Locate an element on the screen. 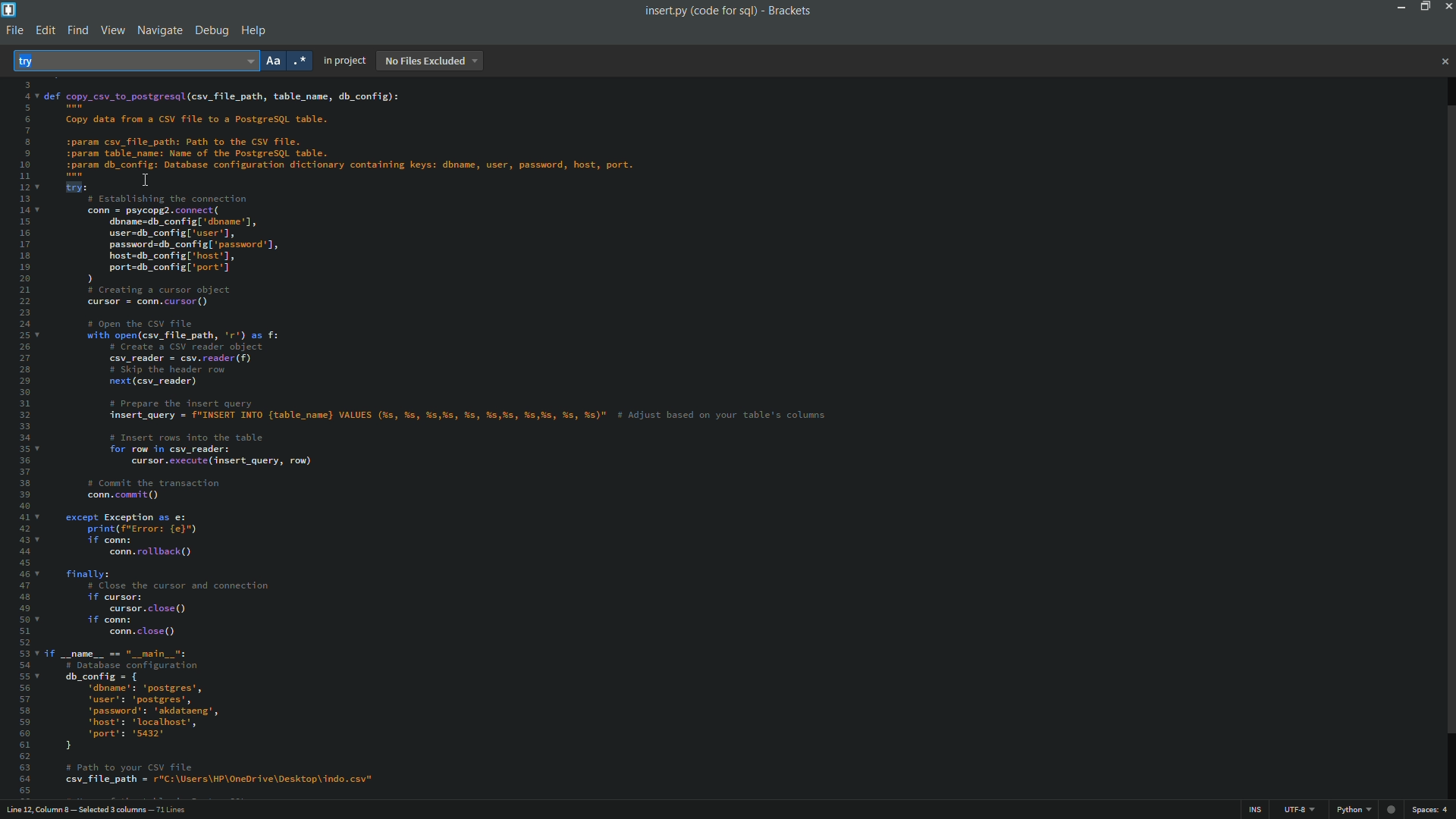 The height and width of the screenshot is (819, 1456). line numbers is located at coordinates (20, 437).